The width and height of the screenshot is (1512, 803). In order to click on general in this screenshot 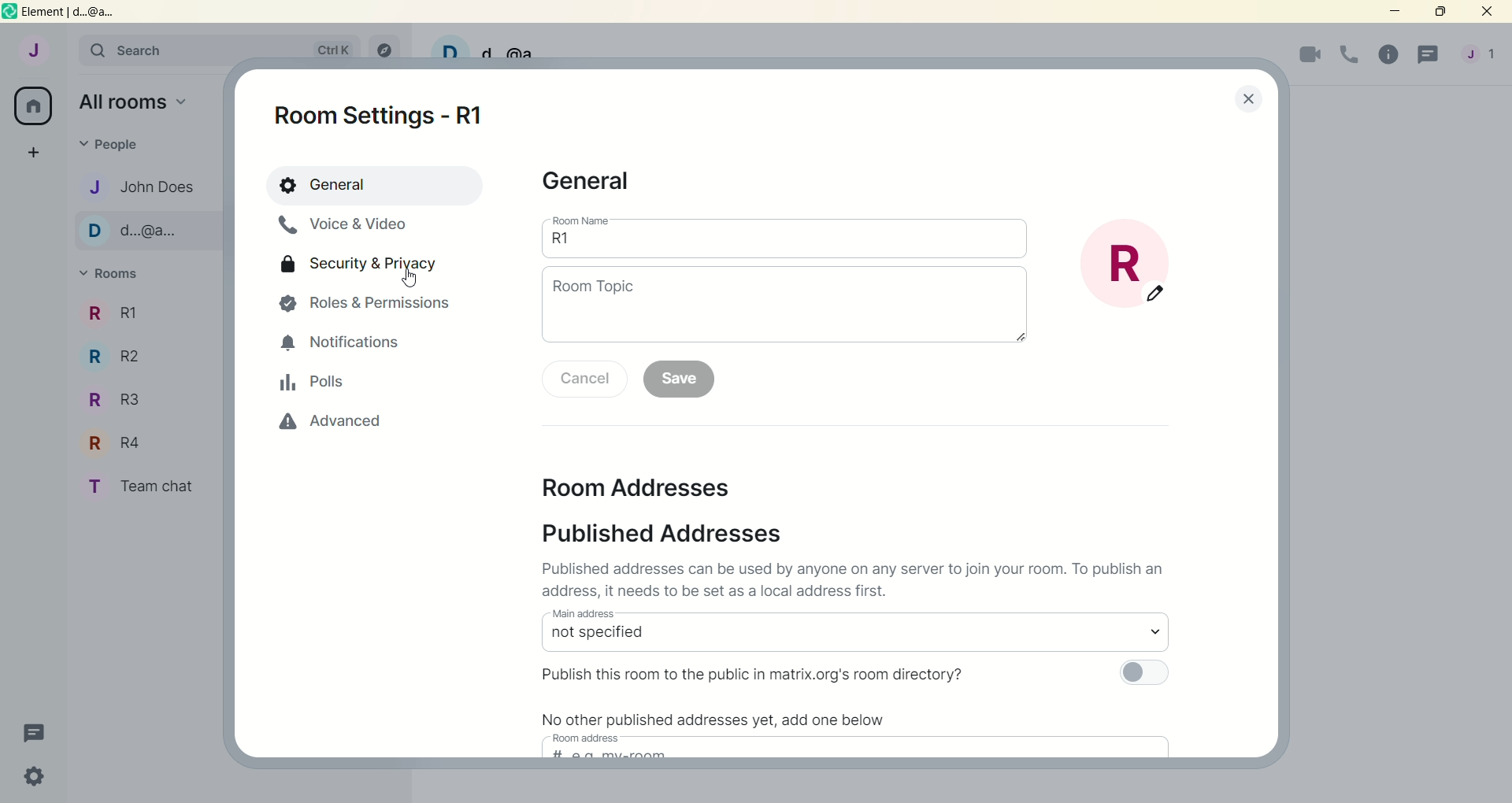, I will do `click(597, 184)`.